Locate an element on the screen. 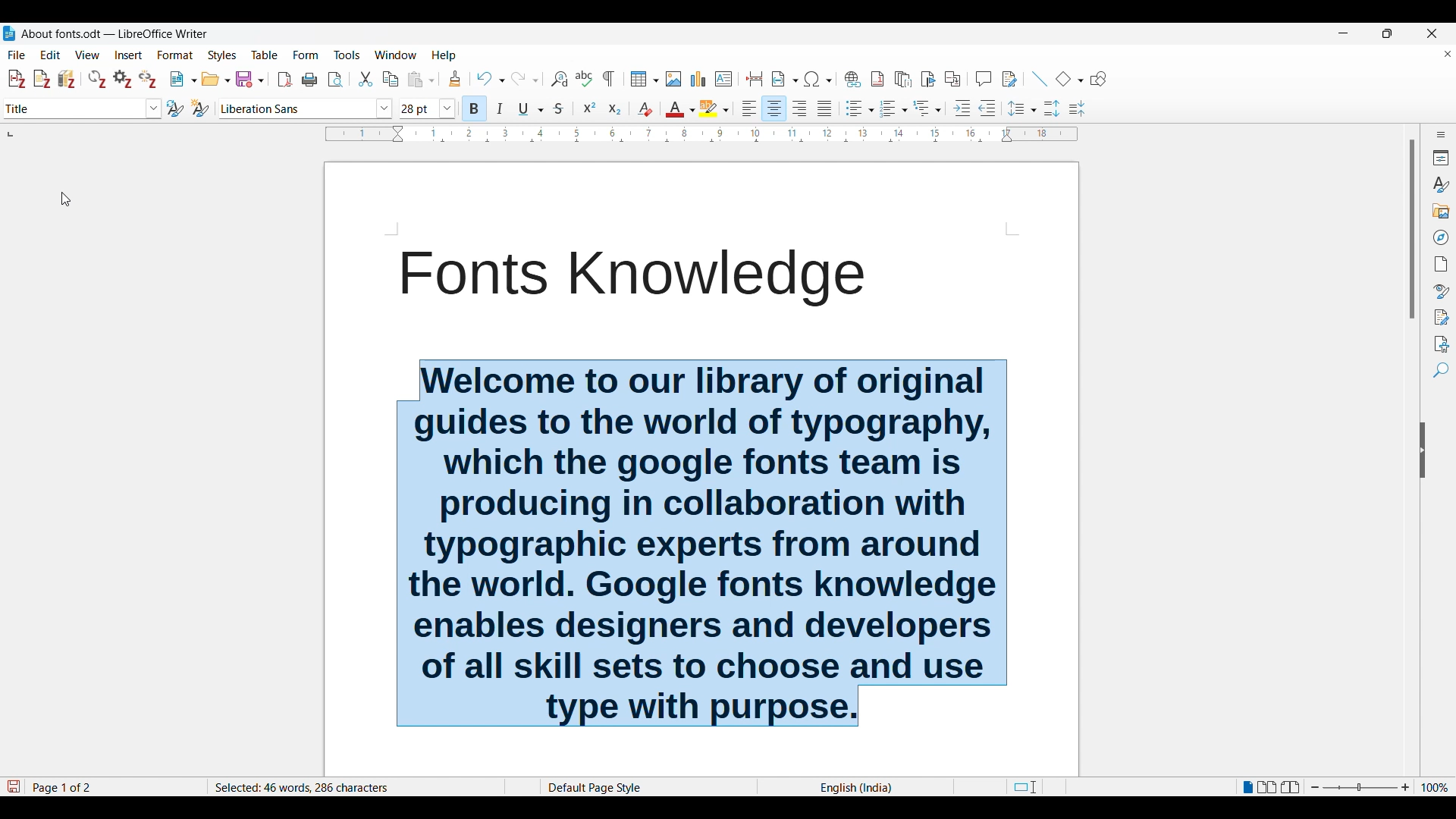  Insert field is located at coordinates (785, 79).